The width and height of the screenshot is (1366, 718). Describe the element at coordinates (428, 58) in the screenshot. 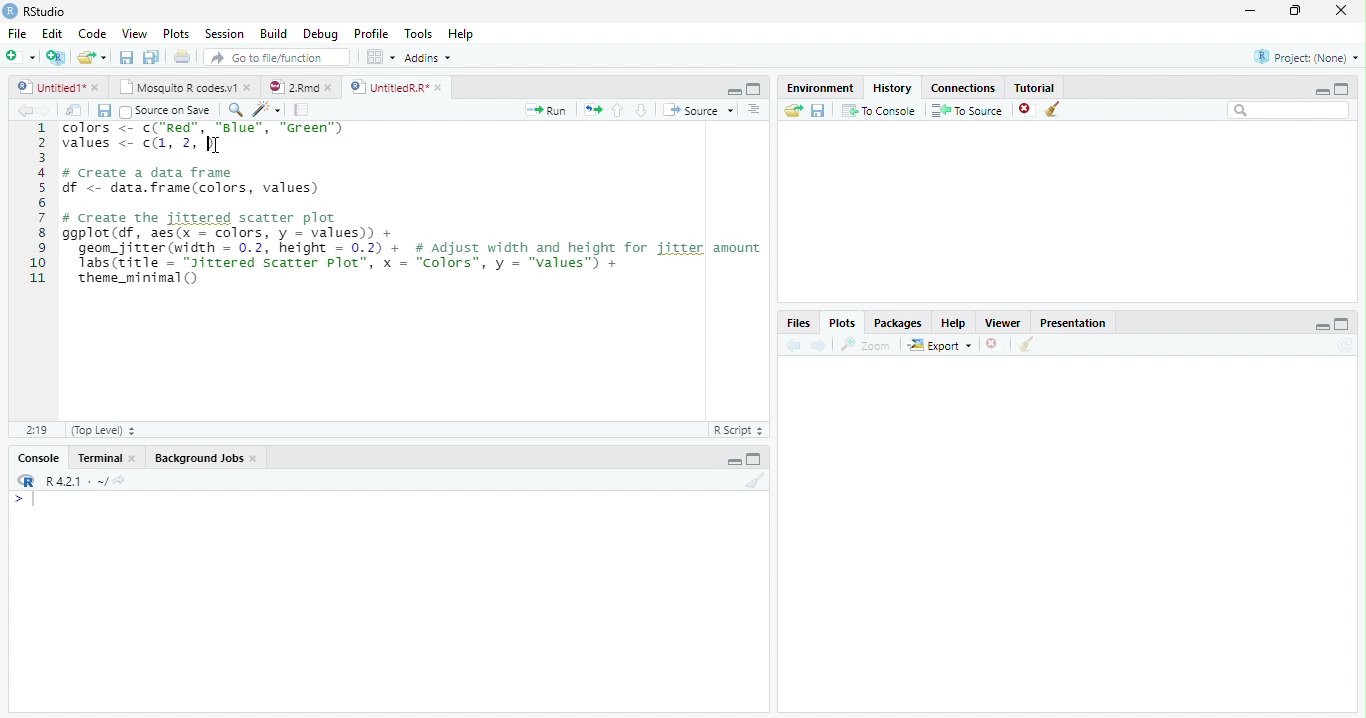

I see `Addins` at that location.